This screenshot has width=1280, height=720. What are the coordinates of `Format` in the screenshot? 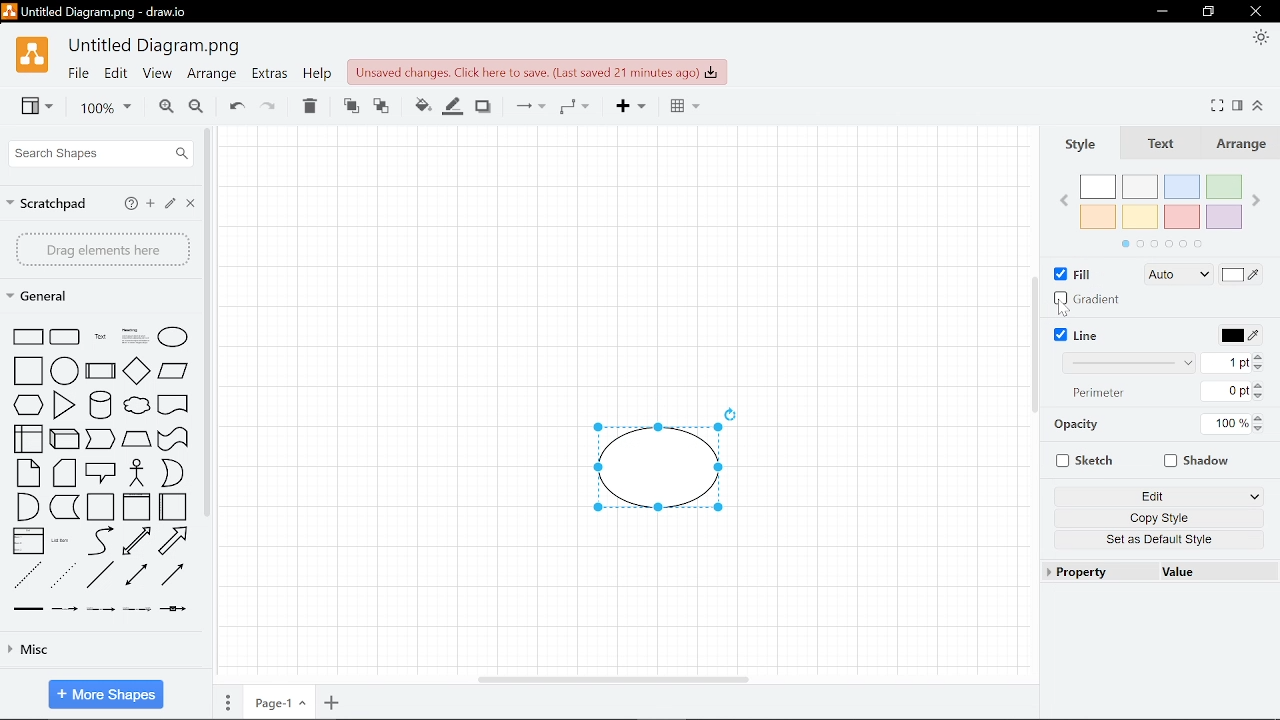 It's located at (1238, 107).